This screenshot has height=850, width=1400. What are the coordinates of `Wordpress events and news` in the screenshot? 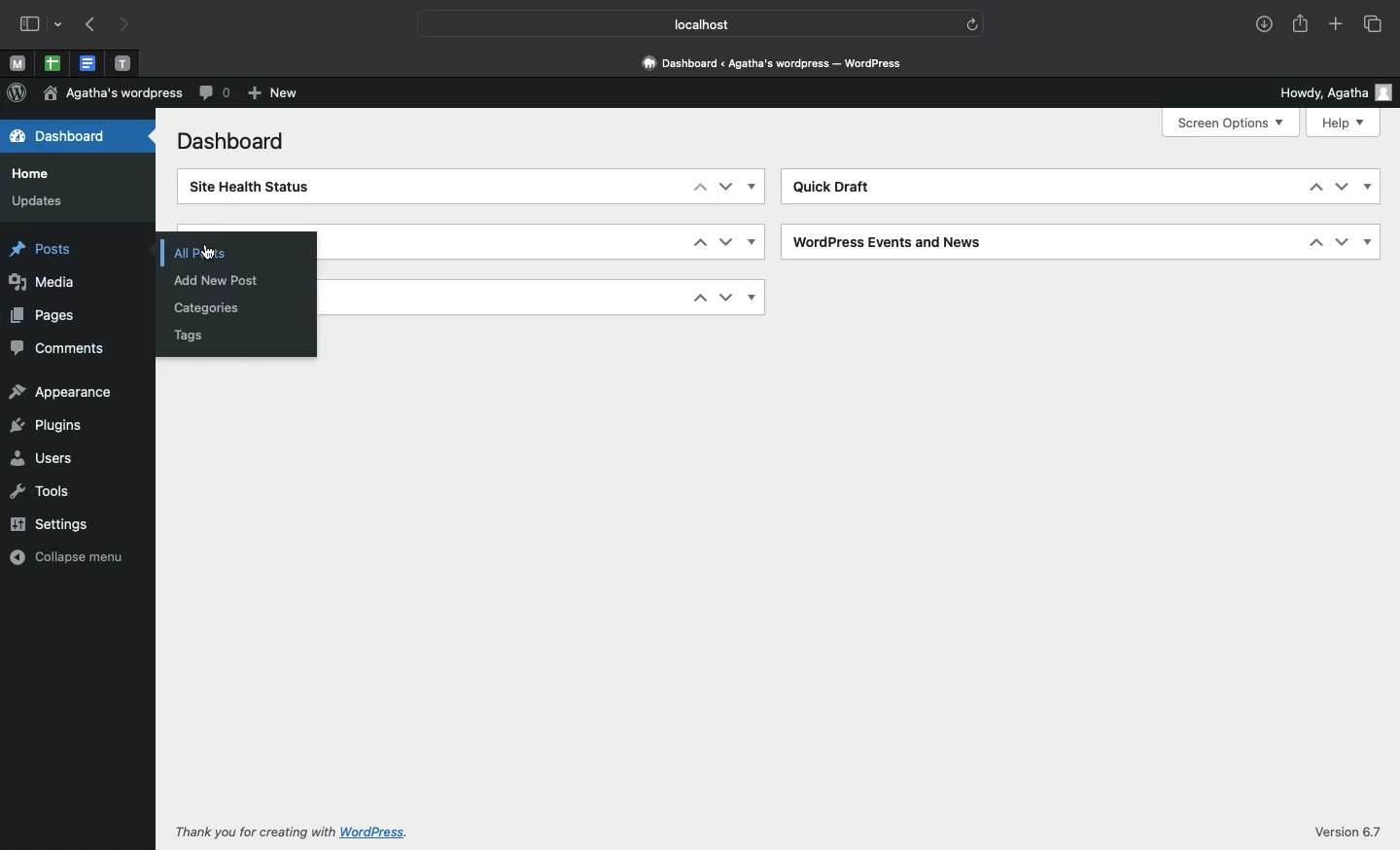 It's located at (892, 242).